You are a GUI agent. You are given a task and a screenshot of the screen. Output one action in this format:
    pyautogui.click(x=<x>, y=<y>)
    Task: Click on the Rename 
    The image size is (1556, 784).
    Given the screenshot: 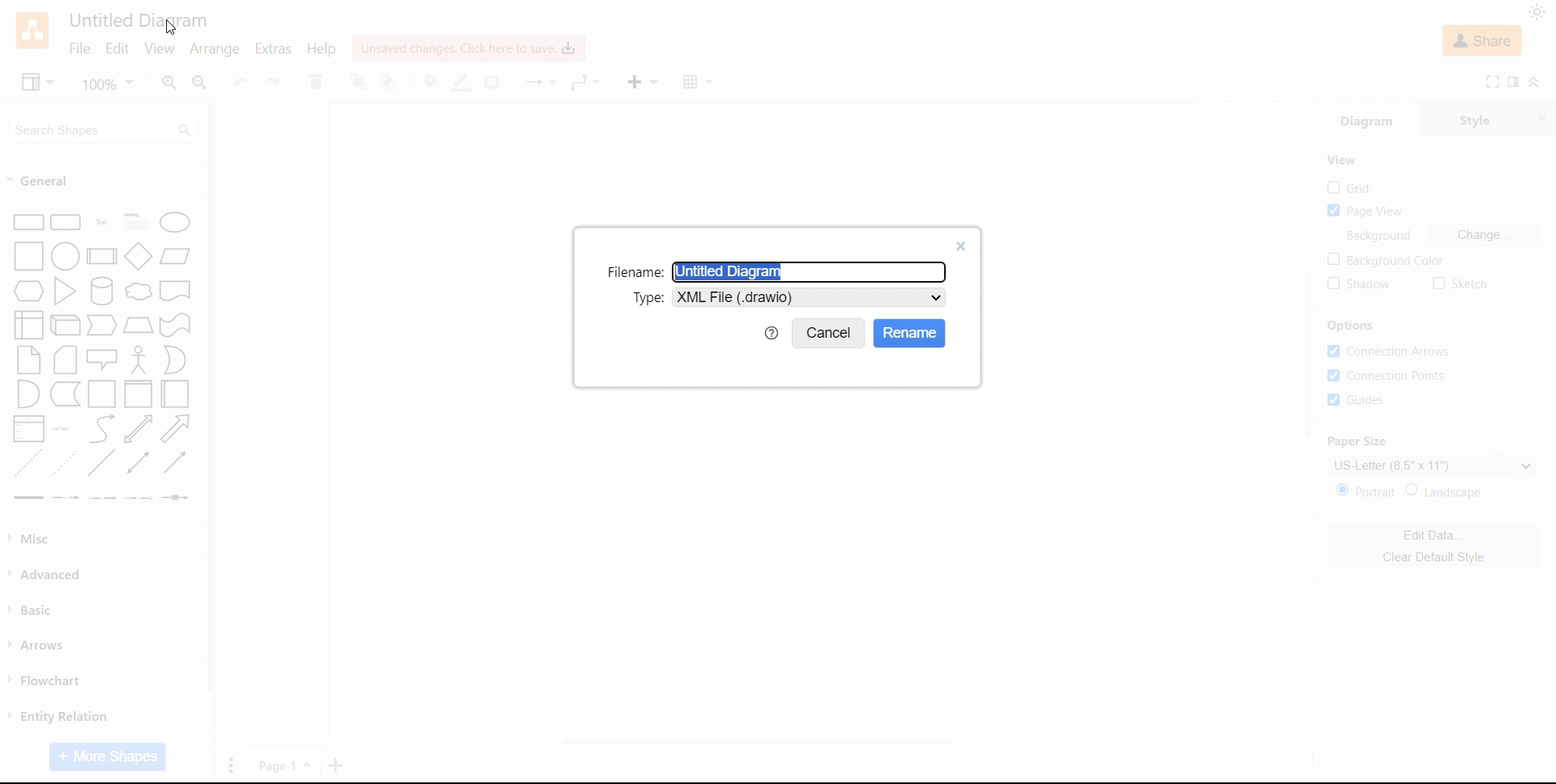 What is the action you would take?
    pyautogui.click(x=910, y=333)
    